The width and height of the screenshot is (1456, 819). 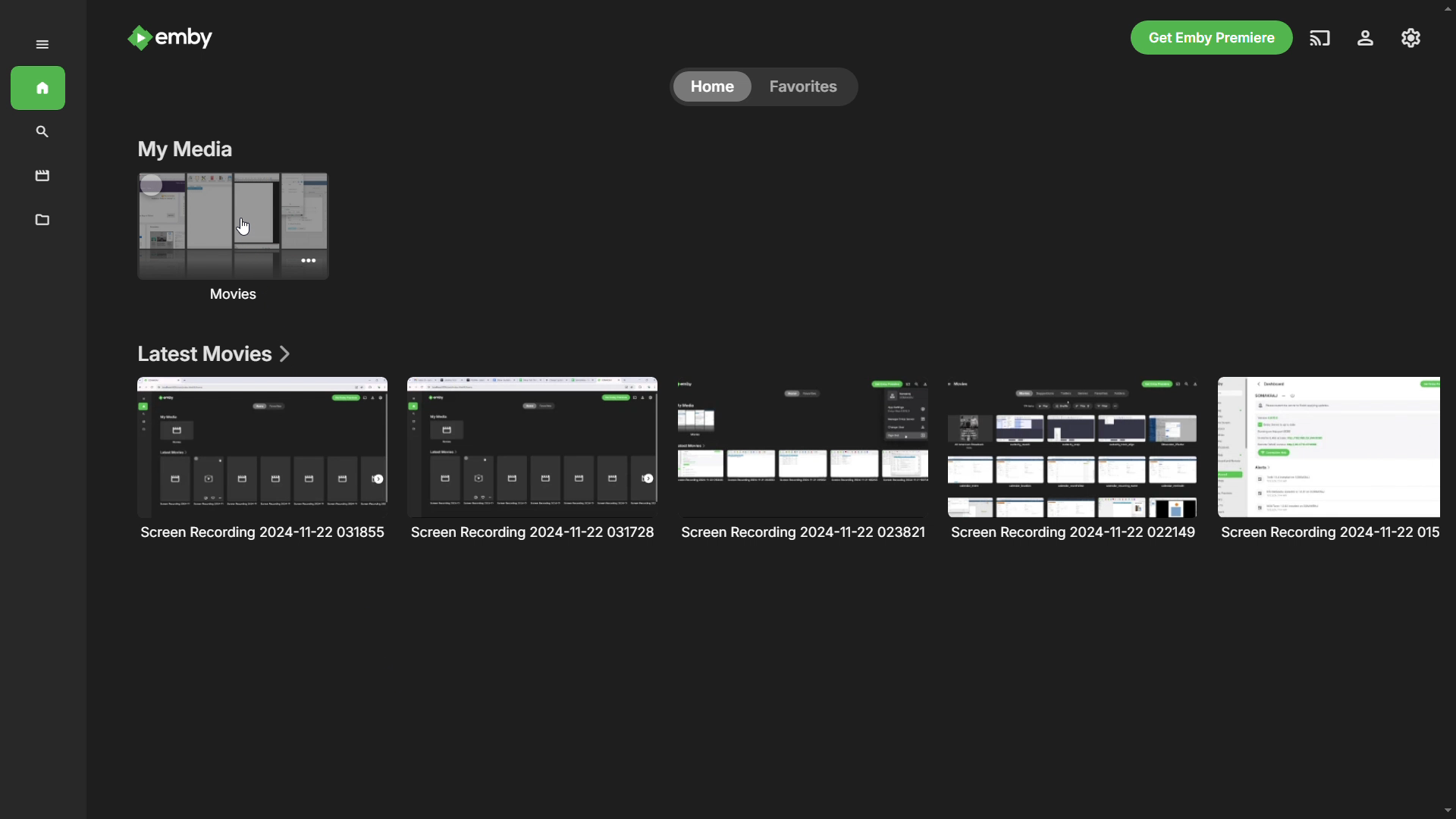 I want to click on menu, so click(x=42, y=42).